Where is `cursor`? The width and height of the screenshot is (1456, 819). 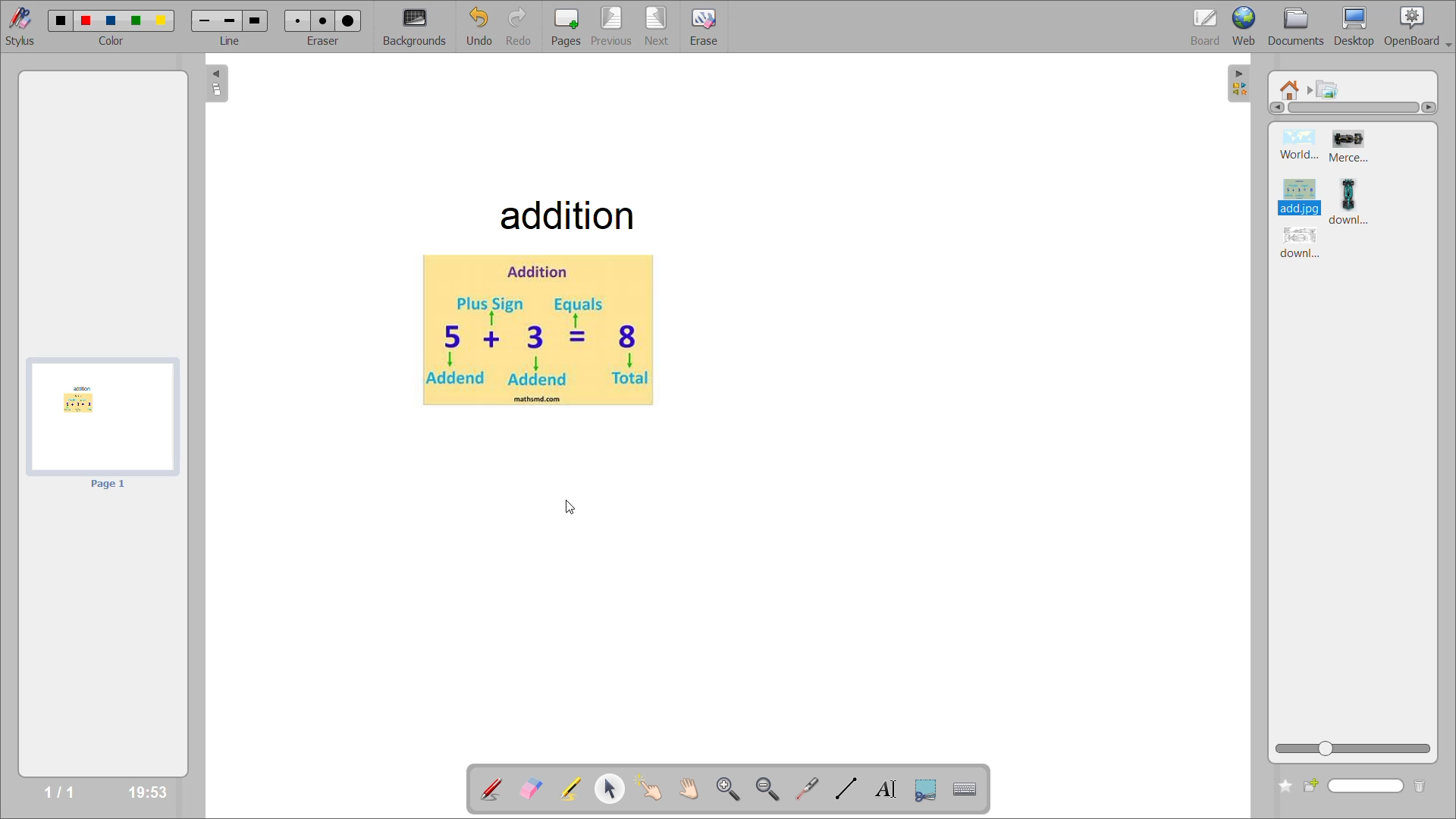
cursor is located at coordinates (568, 507).